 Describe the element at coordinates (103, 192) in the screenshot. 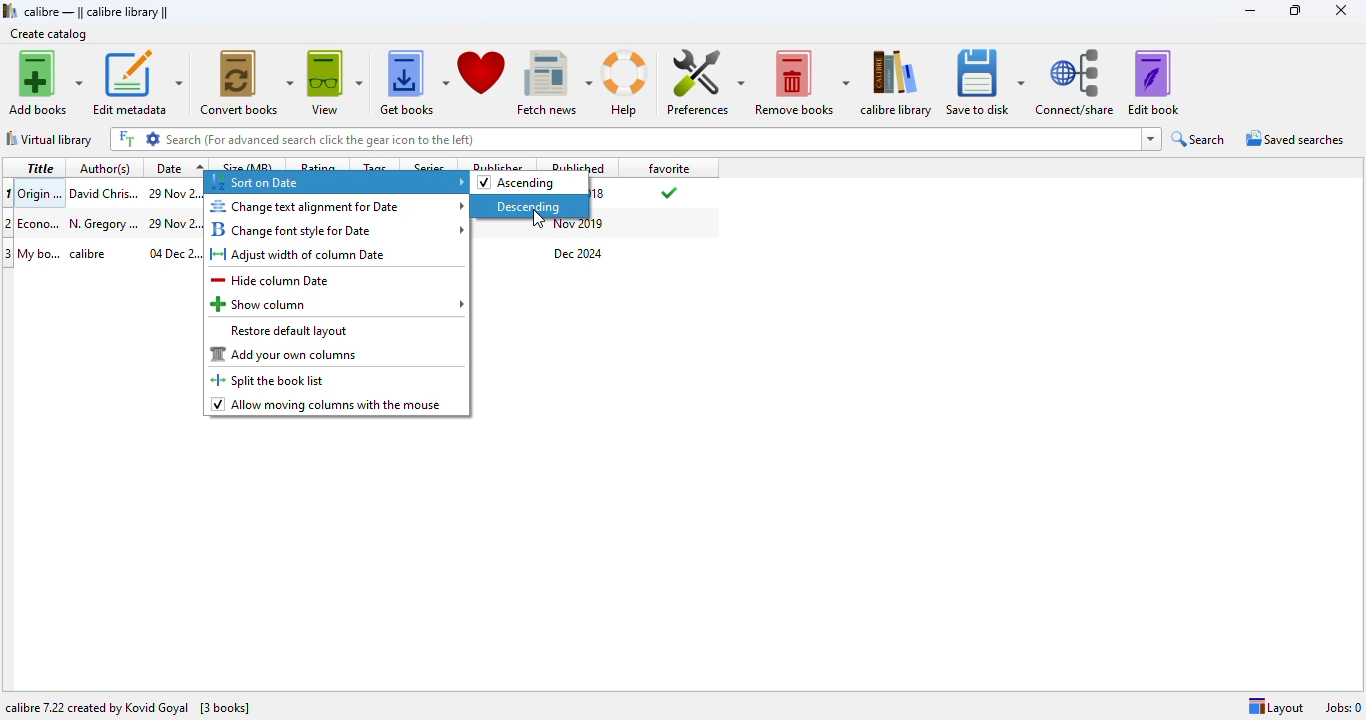

I see `author` at that location.